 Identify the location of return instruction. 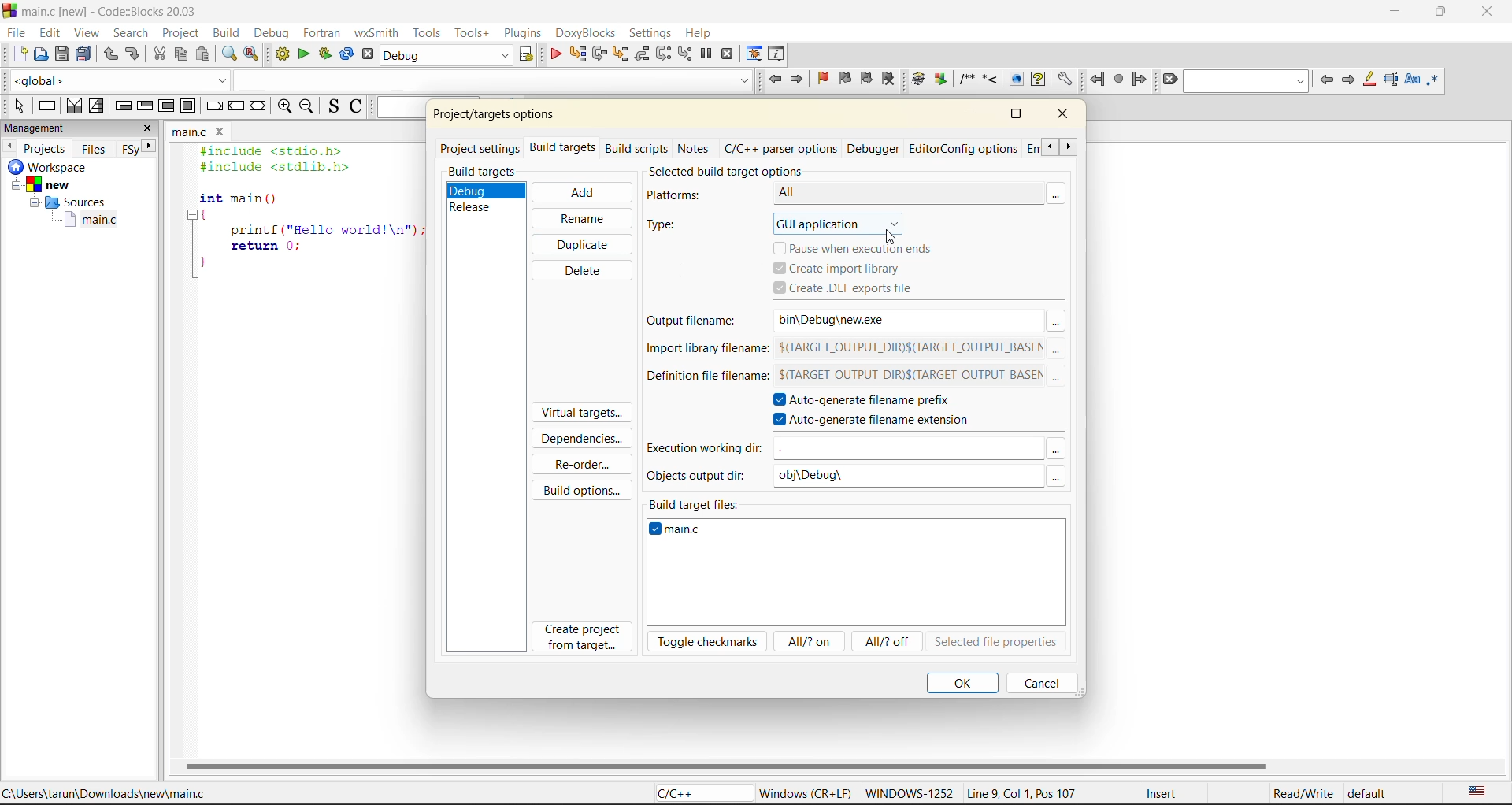
(258, 107).